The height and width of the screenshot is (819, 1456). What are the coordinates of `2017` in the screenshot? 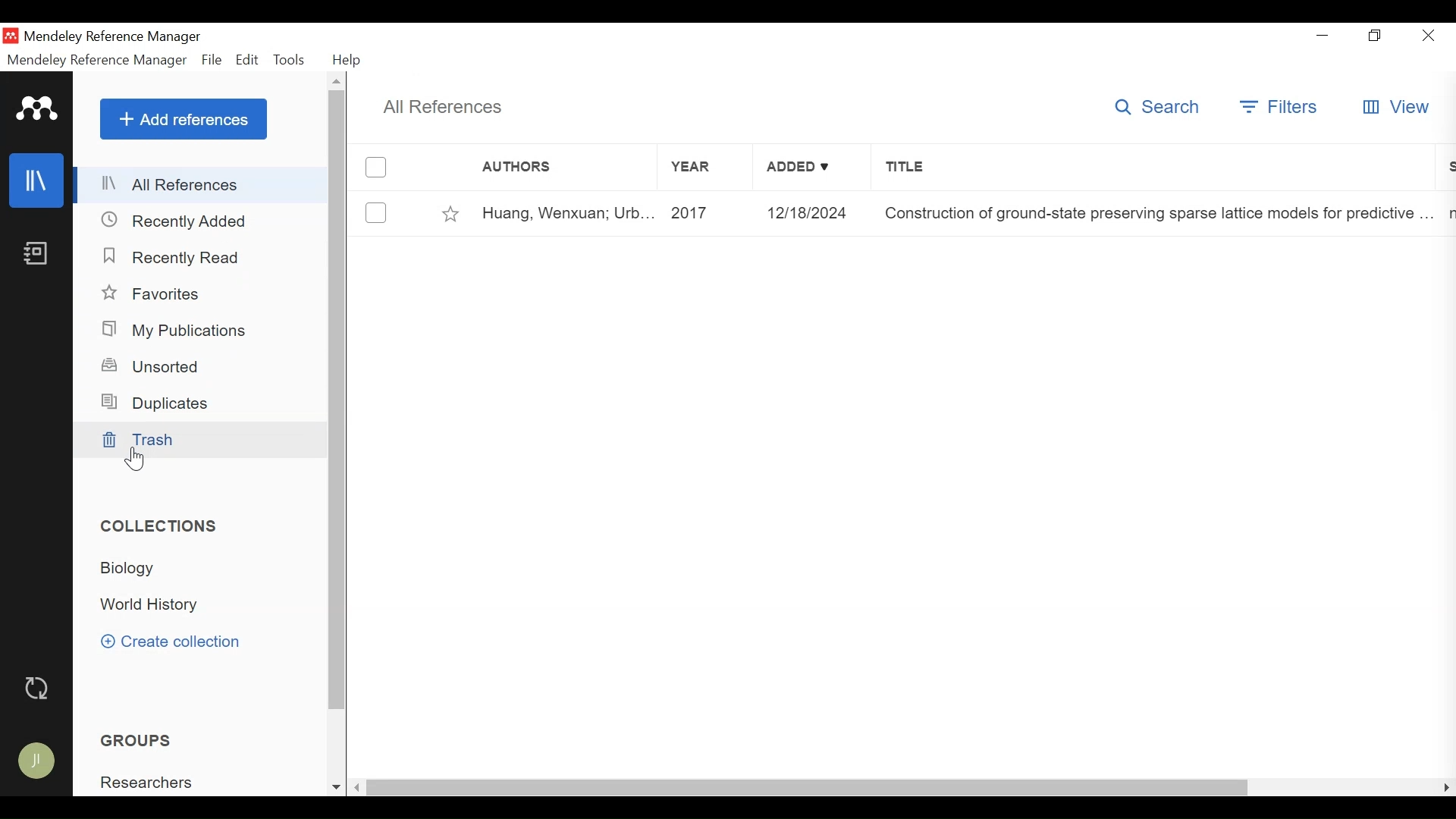 It's located at (708, 214).